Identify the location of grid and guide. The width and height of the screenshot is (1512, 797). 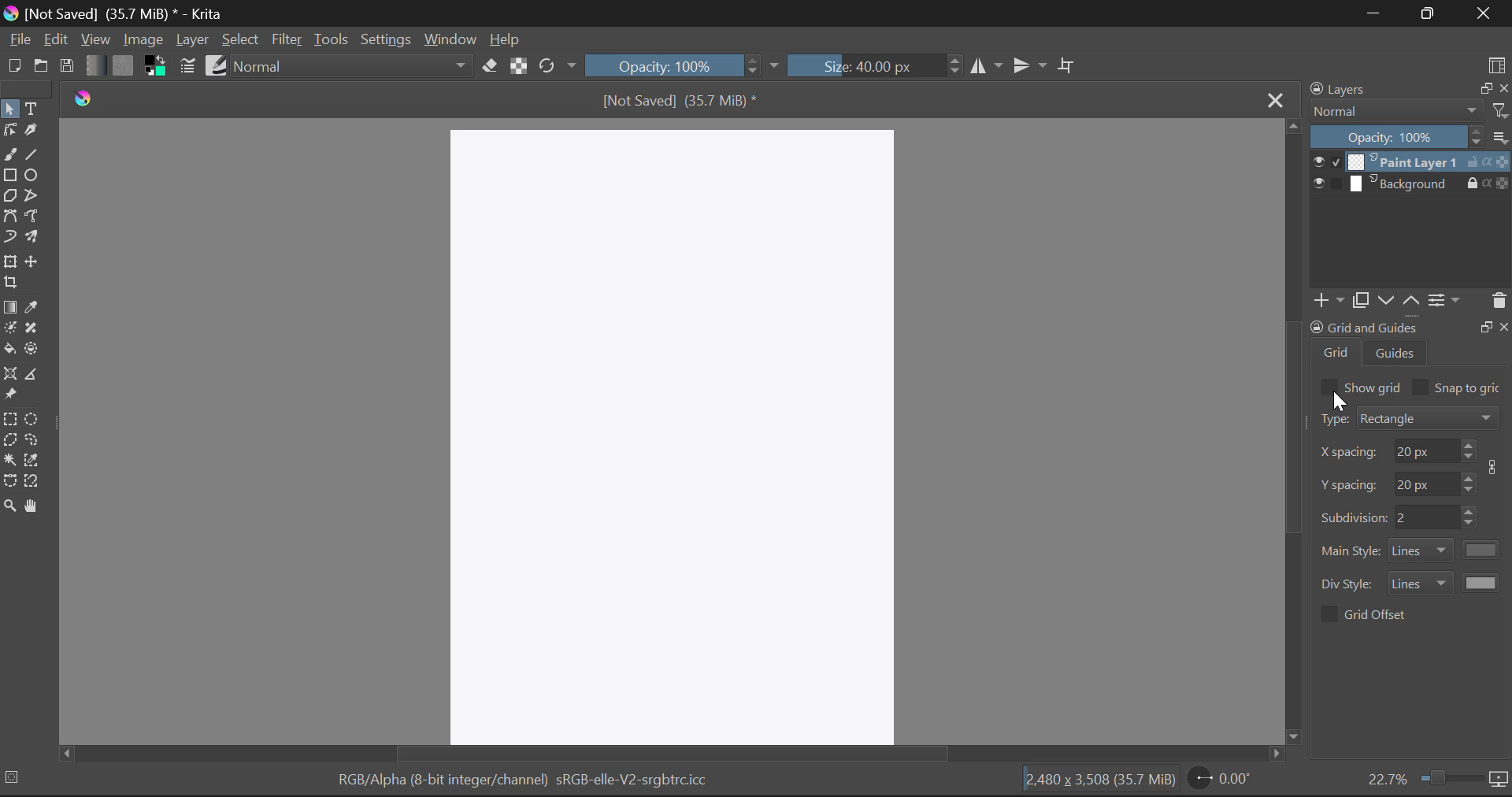
(1363, 327).